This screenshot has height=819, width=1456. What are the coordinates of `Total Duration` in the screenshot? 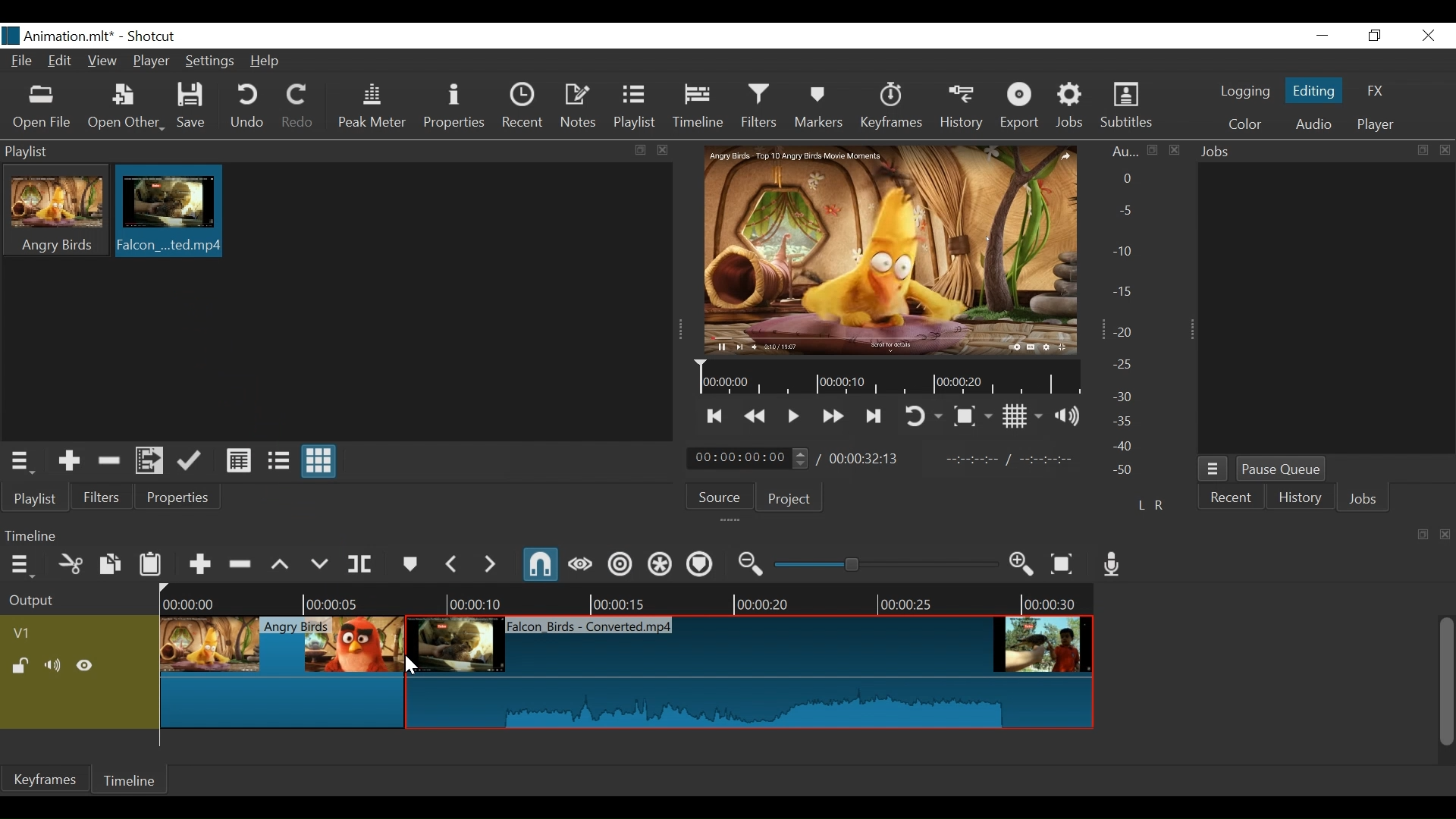 It's located at (866, 459).